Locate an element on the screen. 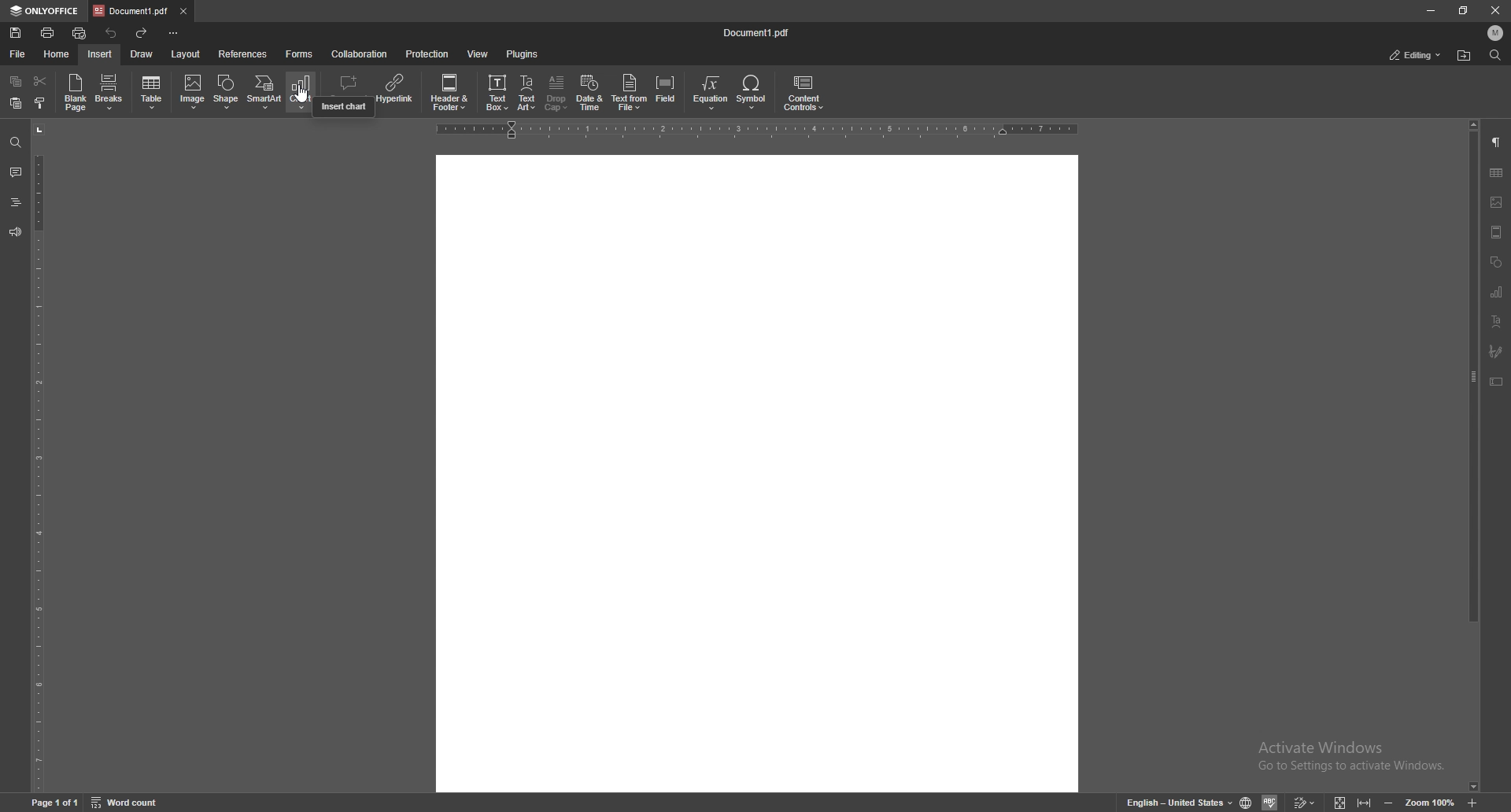 The height and width of the screenshot is (812, 1511). comment is located at coordinates (348, 84).